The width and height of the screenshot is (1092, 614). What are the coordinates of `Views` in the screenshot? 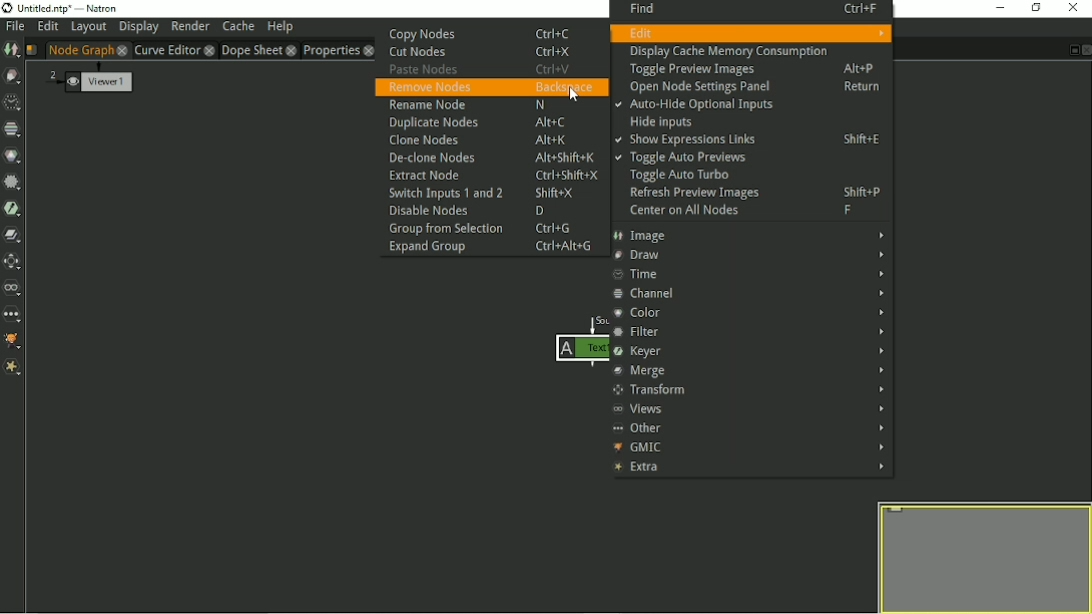 It's located at (750, 409).